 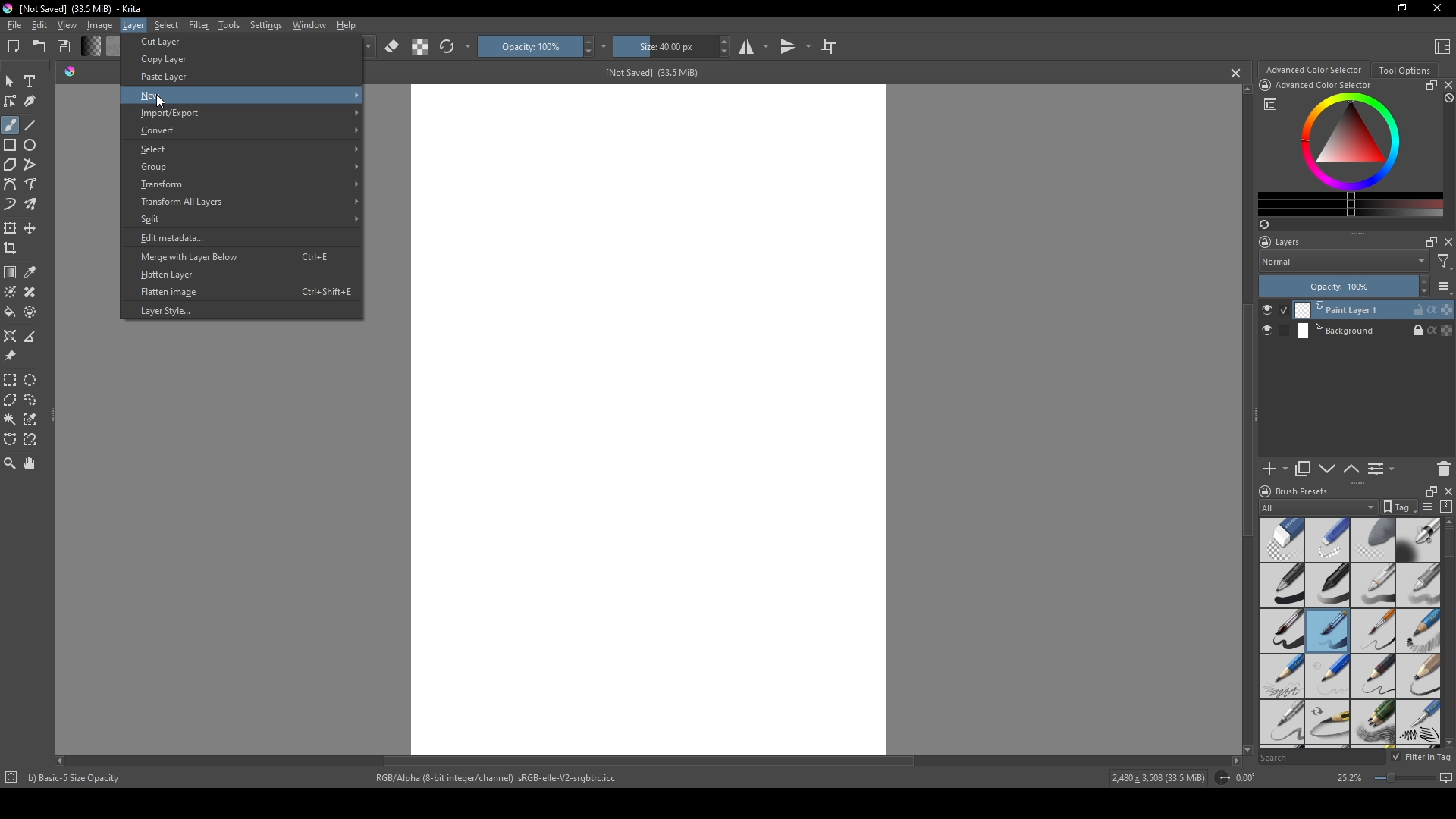 I want to click on pen, so click(x=1281, y=586).